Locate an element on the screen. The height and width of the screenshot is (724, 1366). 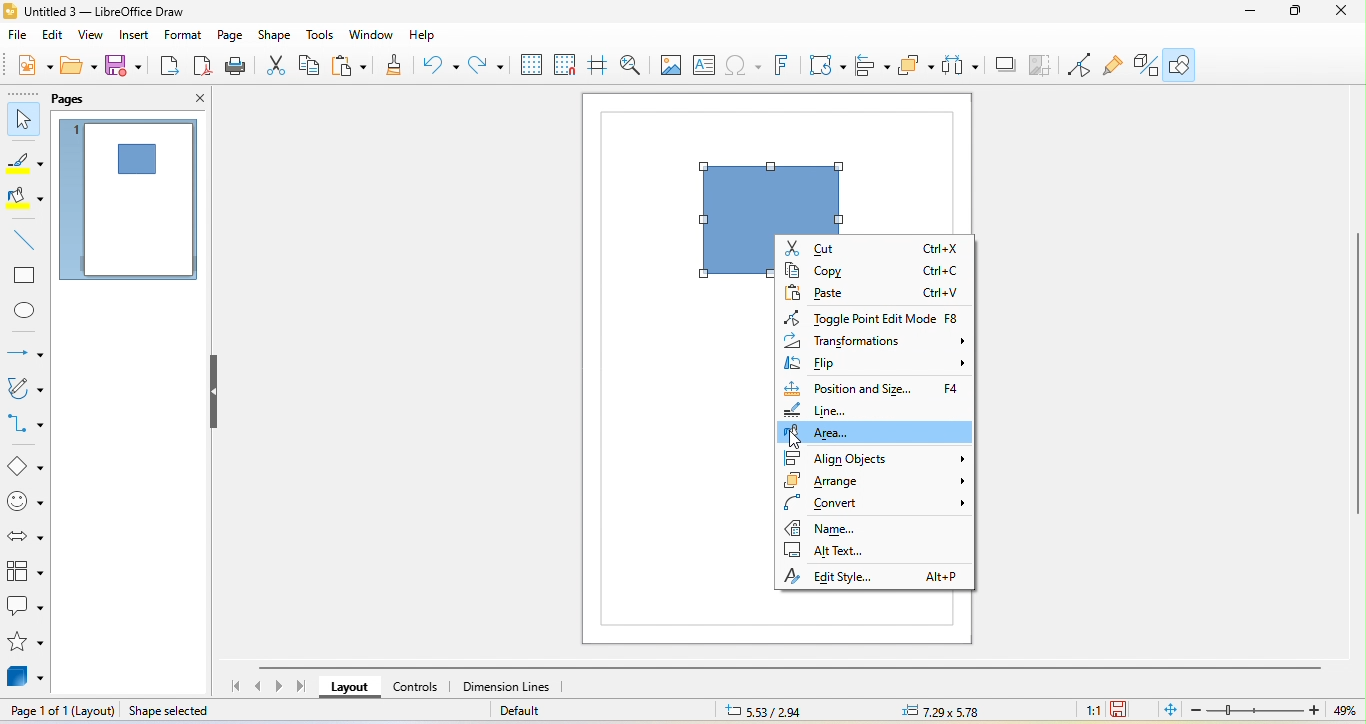
tools is located at coordinates (323, 36).